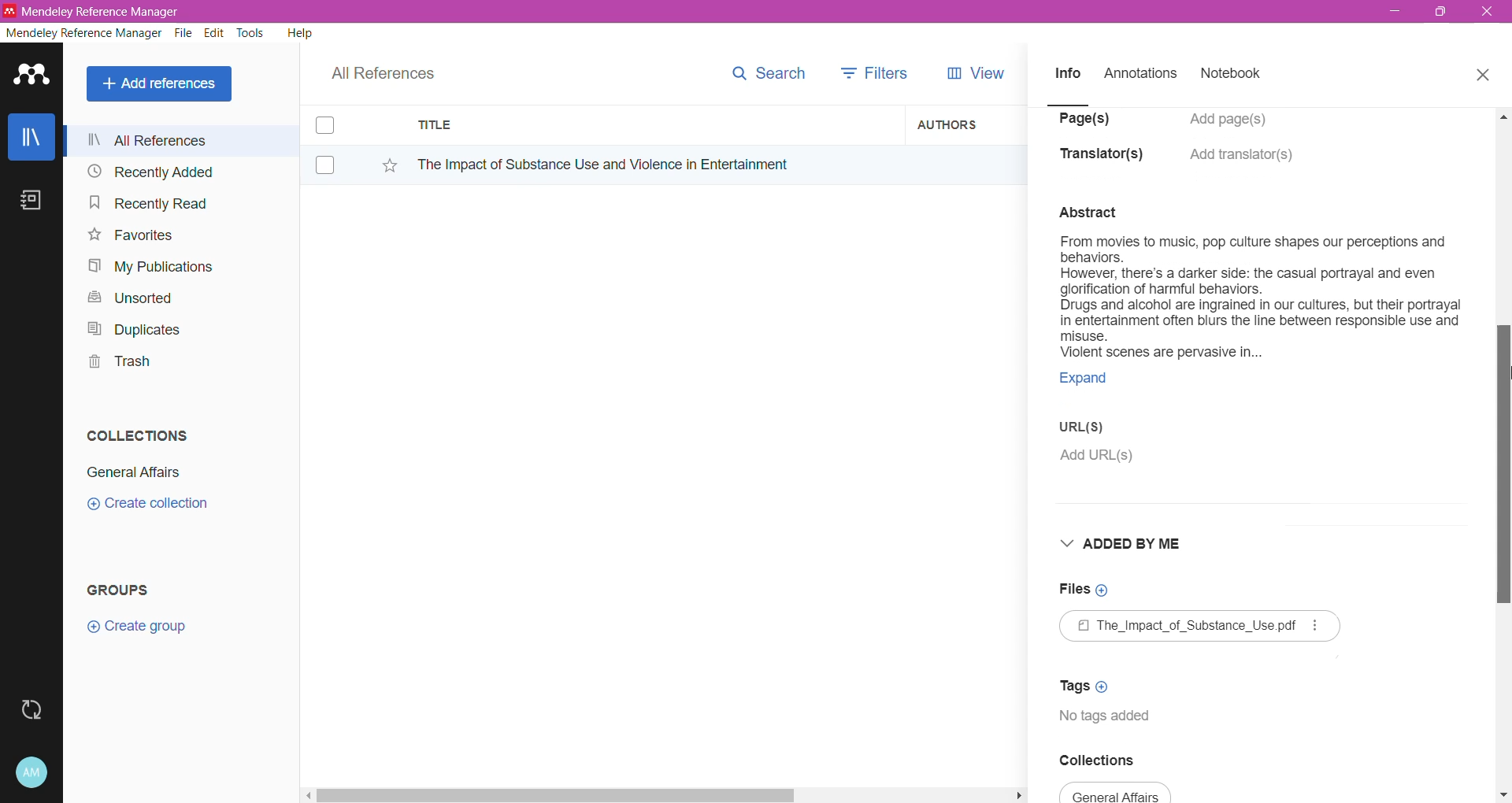 This screenshot has width=1512, height=803. I want to click on All References, so click(394, 69).